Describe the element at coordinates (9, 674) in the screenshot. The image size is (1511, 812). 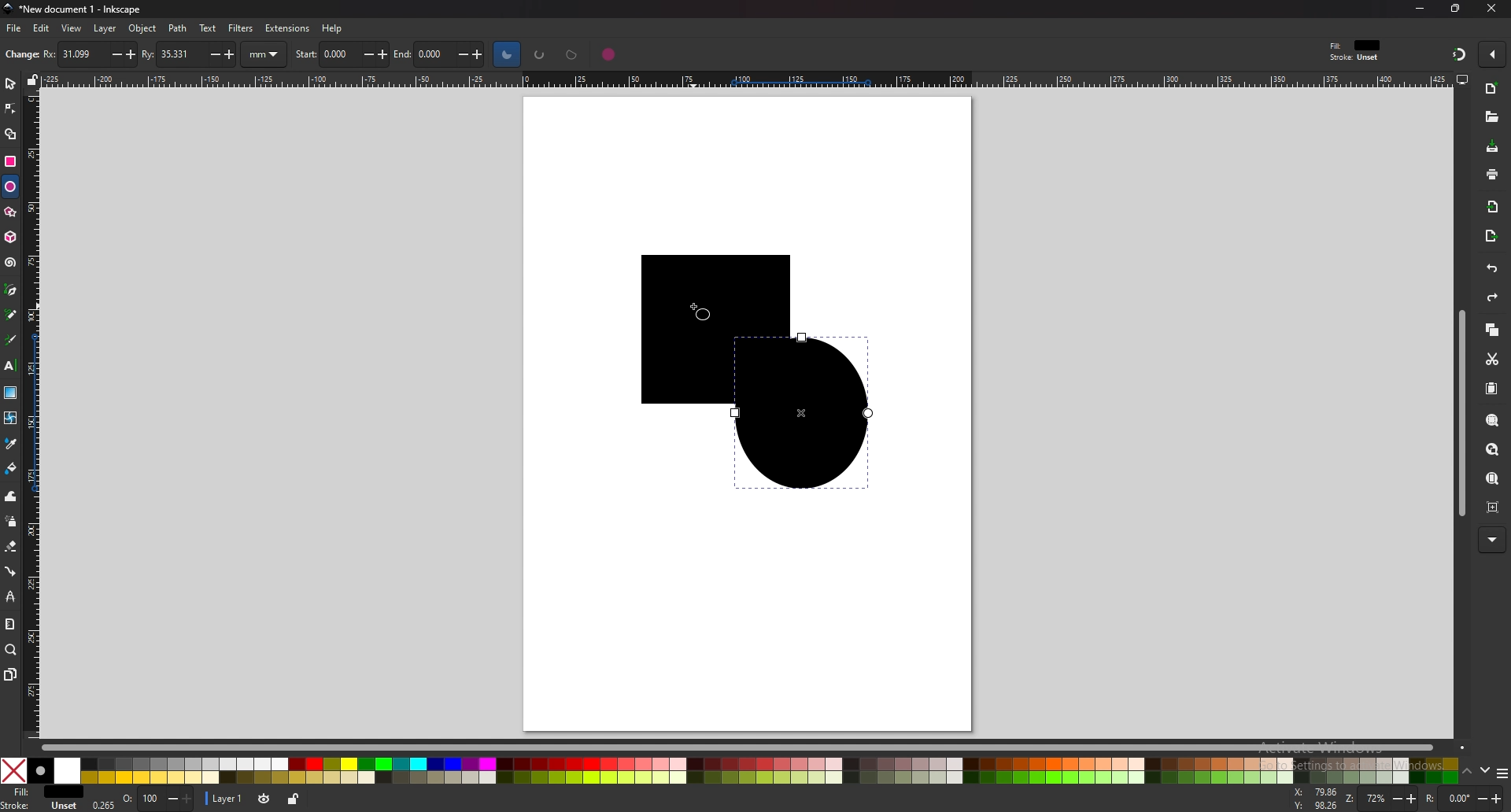
I see `pages` at that location.